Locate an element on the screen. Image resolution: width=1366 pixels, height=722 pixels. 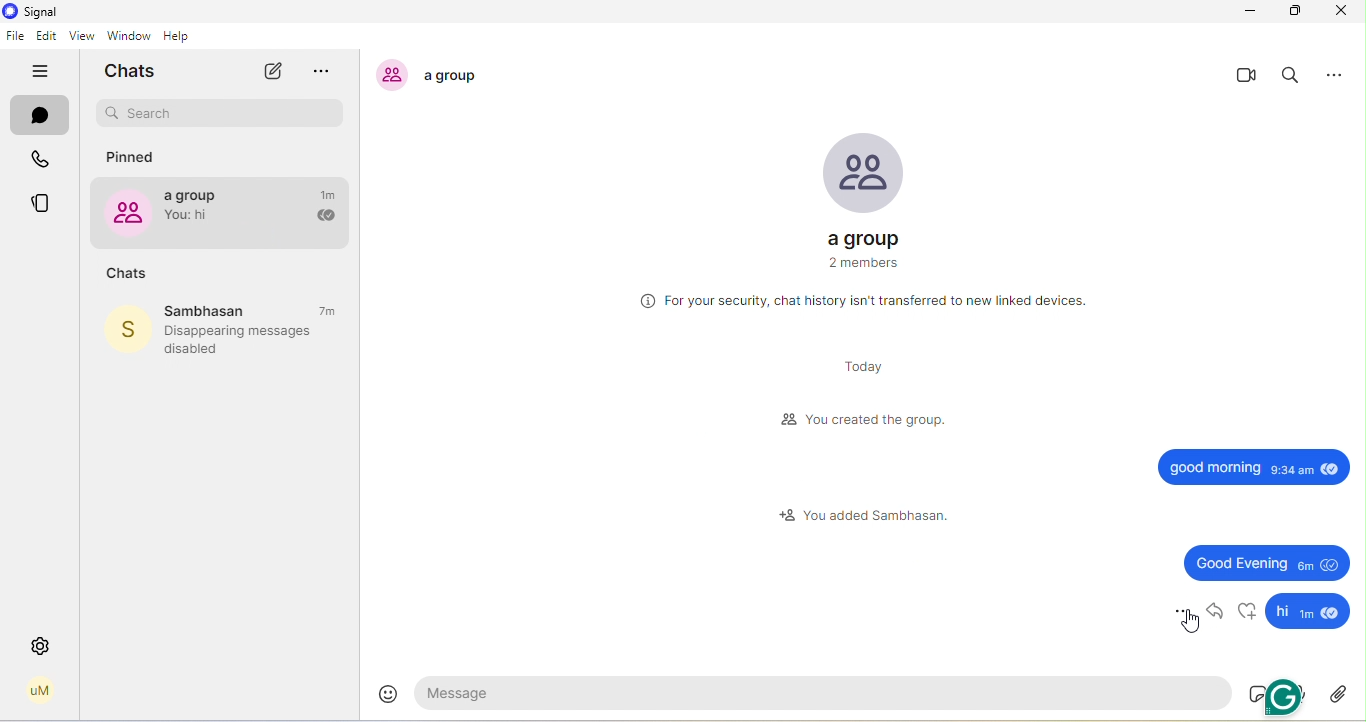
you created the group is located at coordinates (867, 421).